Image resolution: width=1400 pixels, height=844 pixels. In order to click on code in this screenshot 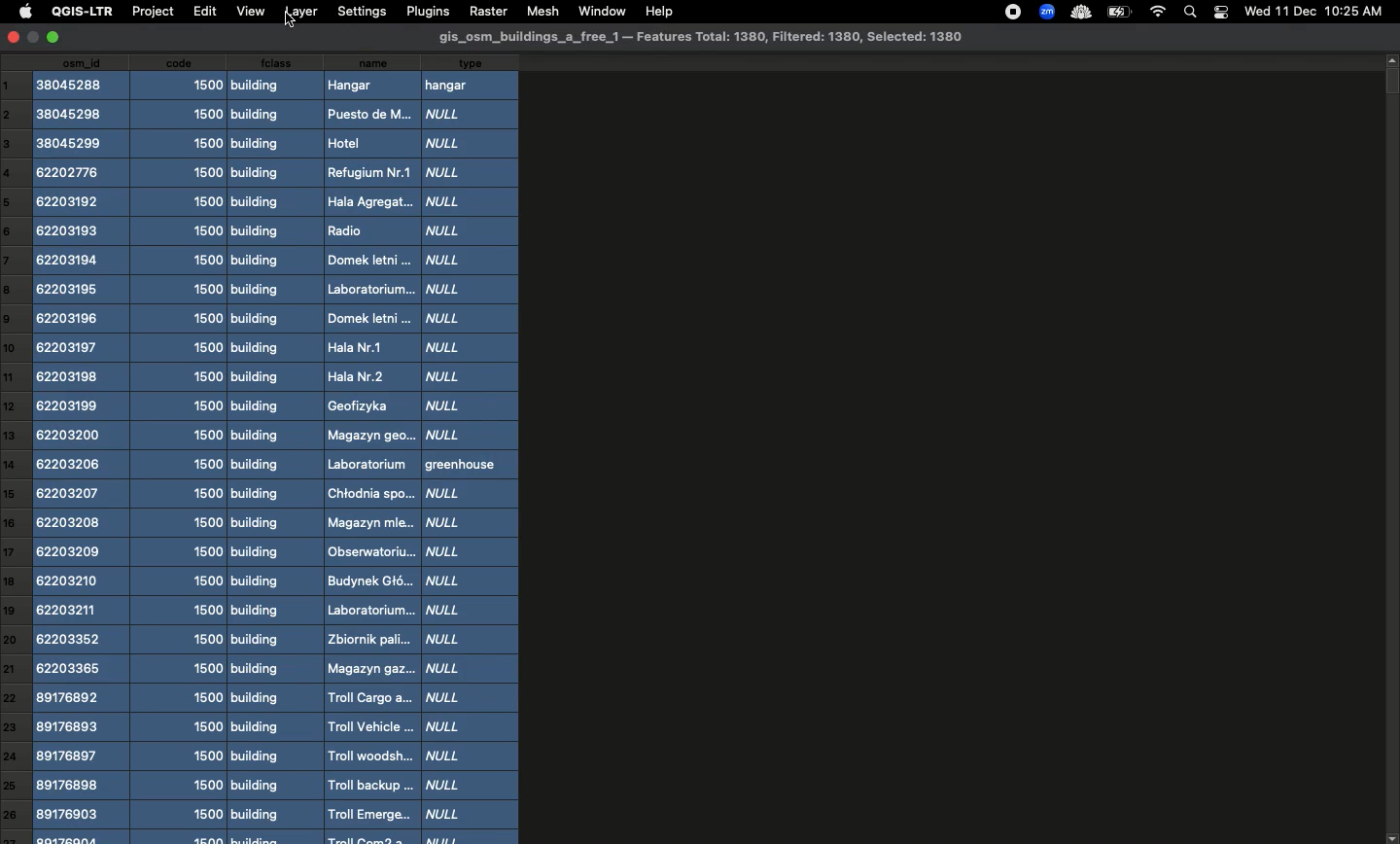, I will do `click(181, 449)`.